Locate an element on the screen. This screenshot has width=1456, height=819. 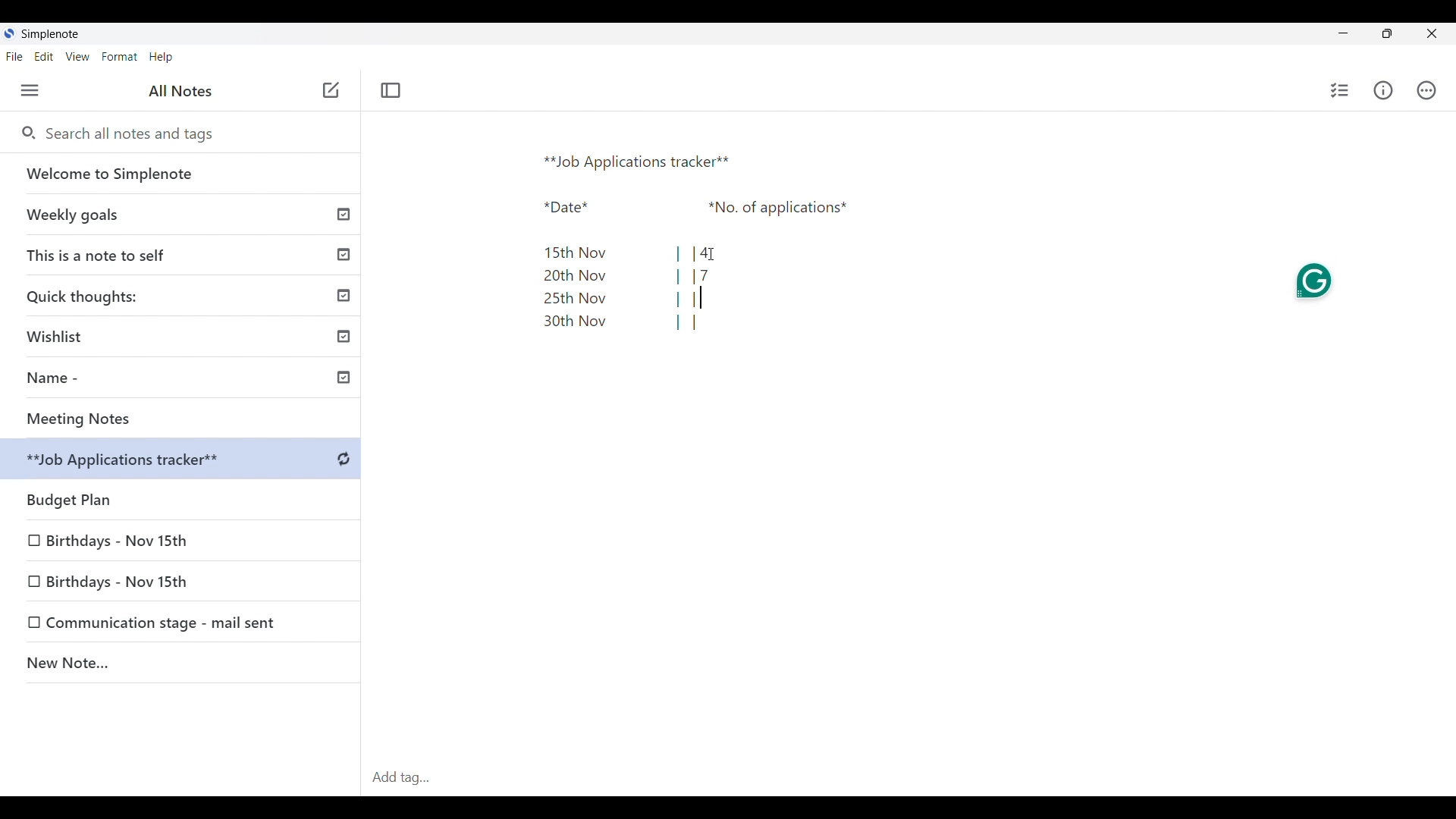
Info is located at coordinates (1384, 90).